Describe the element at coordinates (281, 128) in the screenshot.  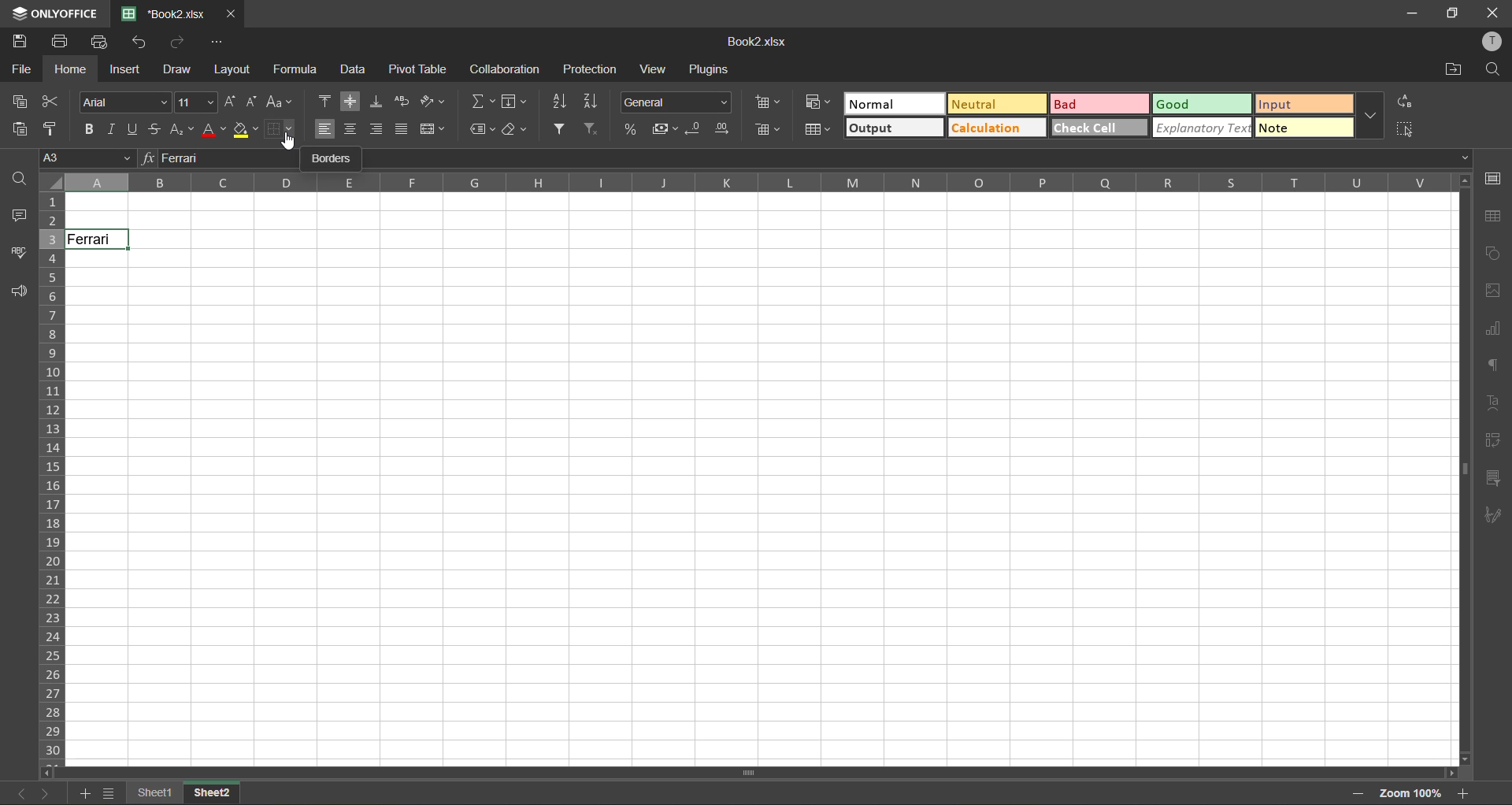
I see `borders` at that location.